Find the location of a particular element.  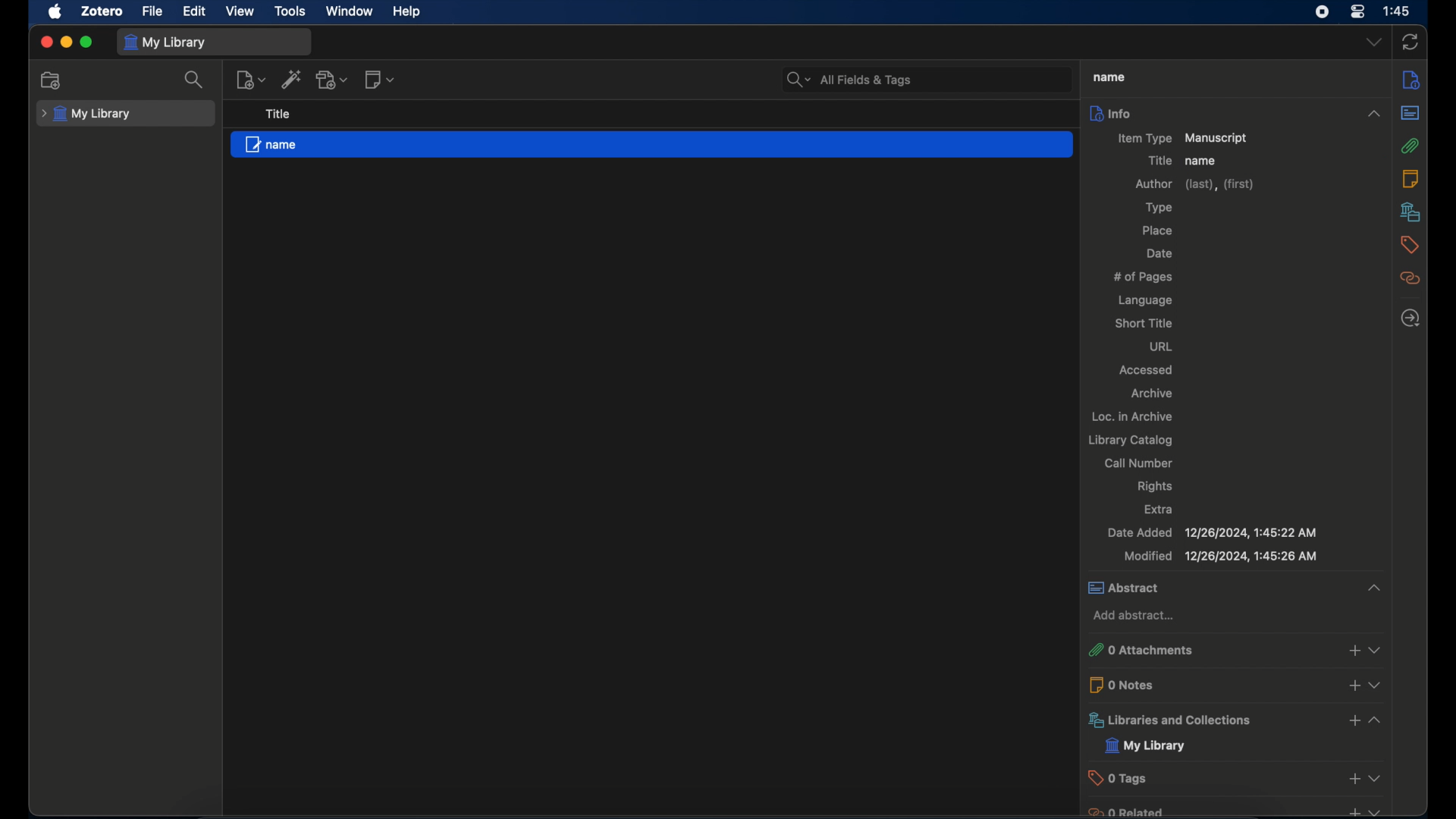

close is located at coordinates (45, 42).